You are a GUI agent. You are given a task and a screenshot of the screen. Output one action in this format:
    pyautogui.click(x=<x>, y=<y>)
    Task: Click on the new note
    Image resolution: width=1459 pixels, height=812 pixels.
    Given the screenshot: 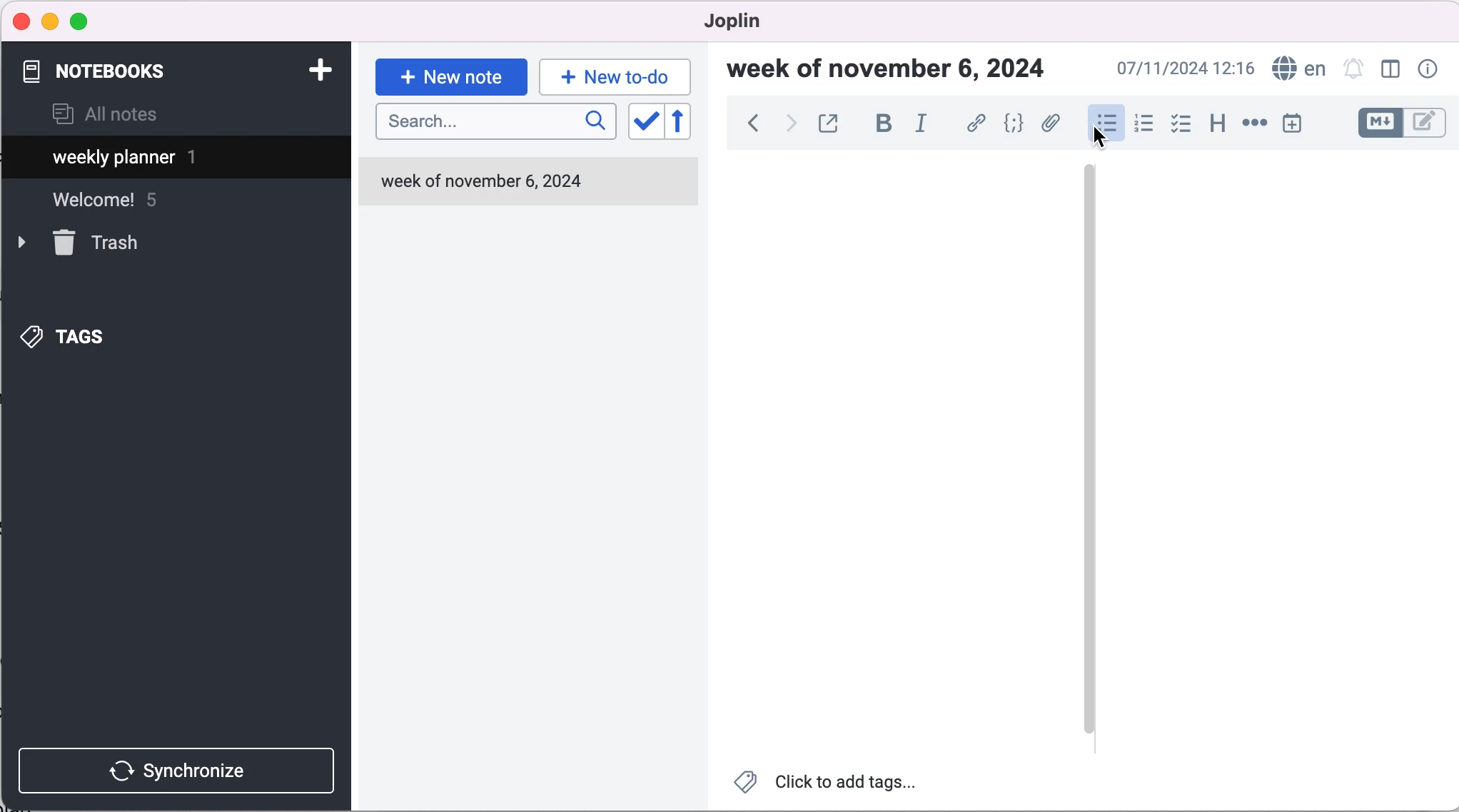 What is the action you would take?
    pyautogui.click(x=451, y=76)
    